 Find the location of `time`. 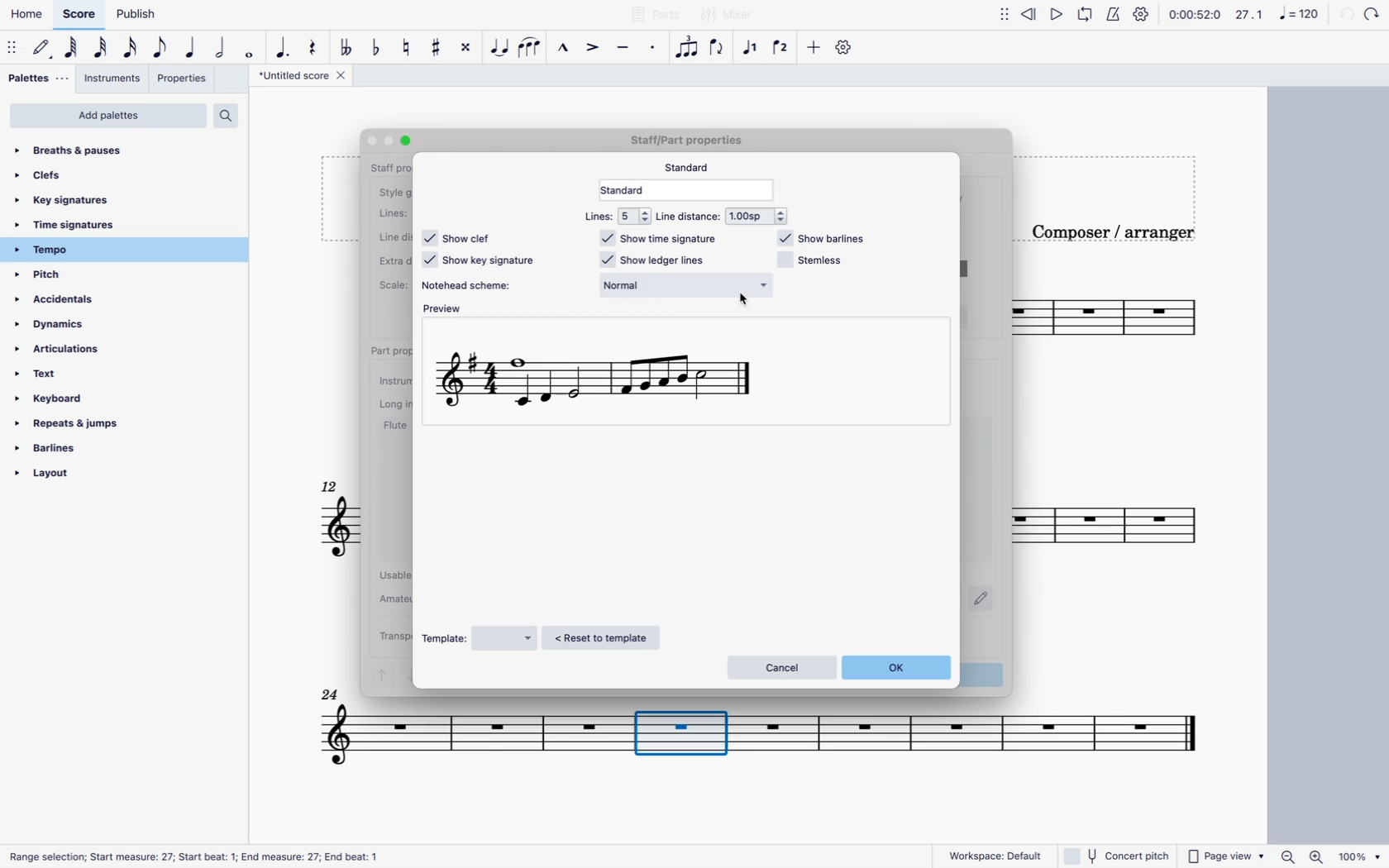

time is located at coordinates (1194, 13).